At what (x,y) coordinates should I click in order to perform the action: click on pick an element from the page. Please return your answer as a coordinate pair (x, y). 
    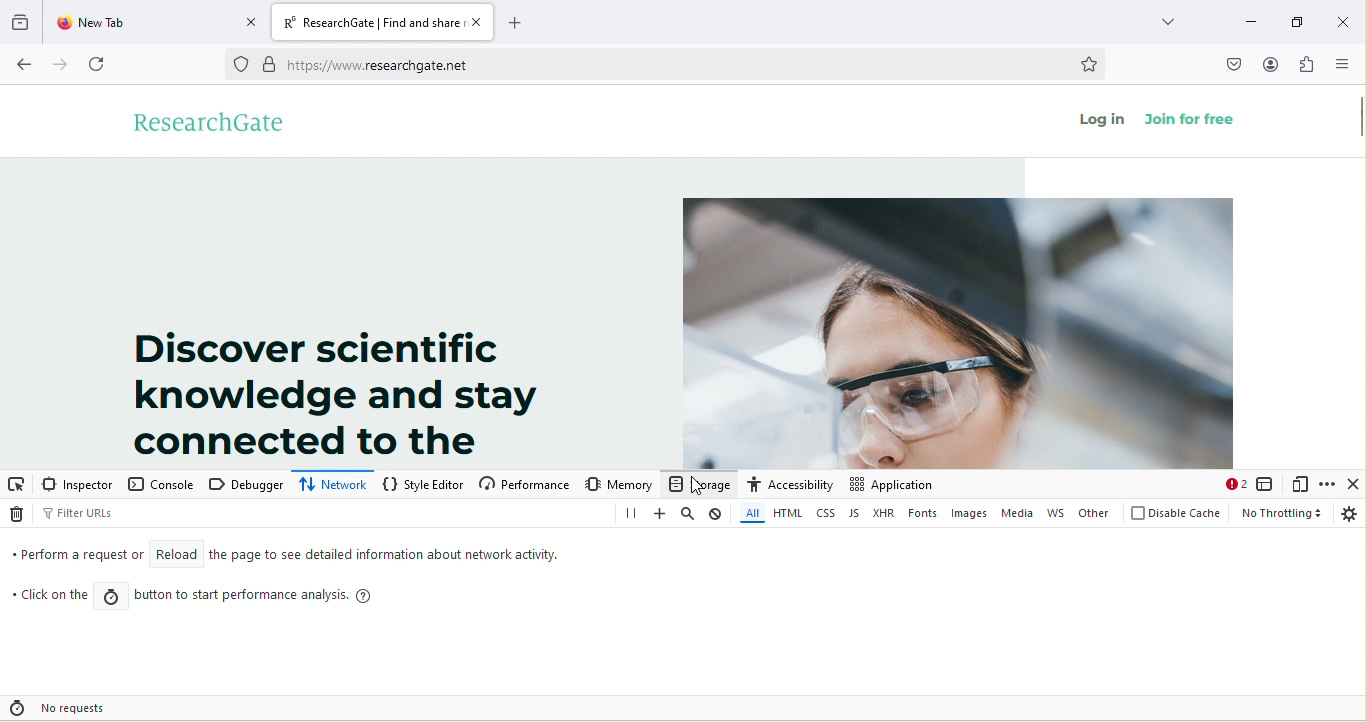
    Looking at the image, I should click on (17, 484).